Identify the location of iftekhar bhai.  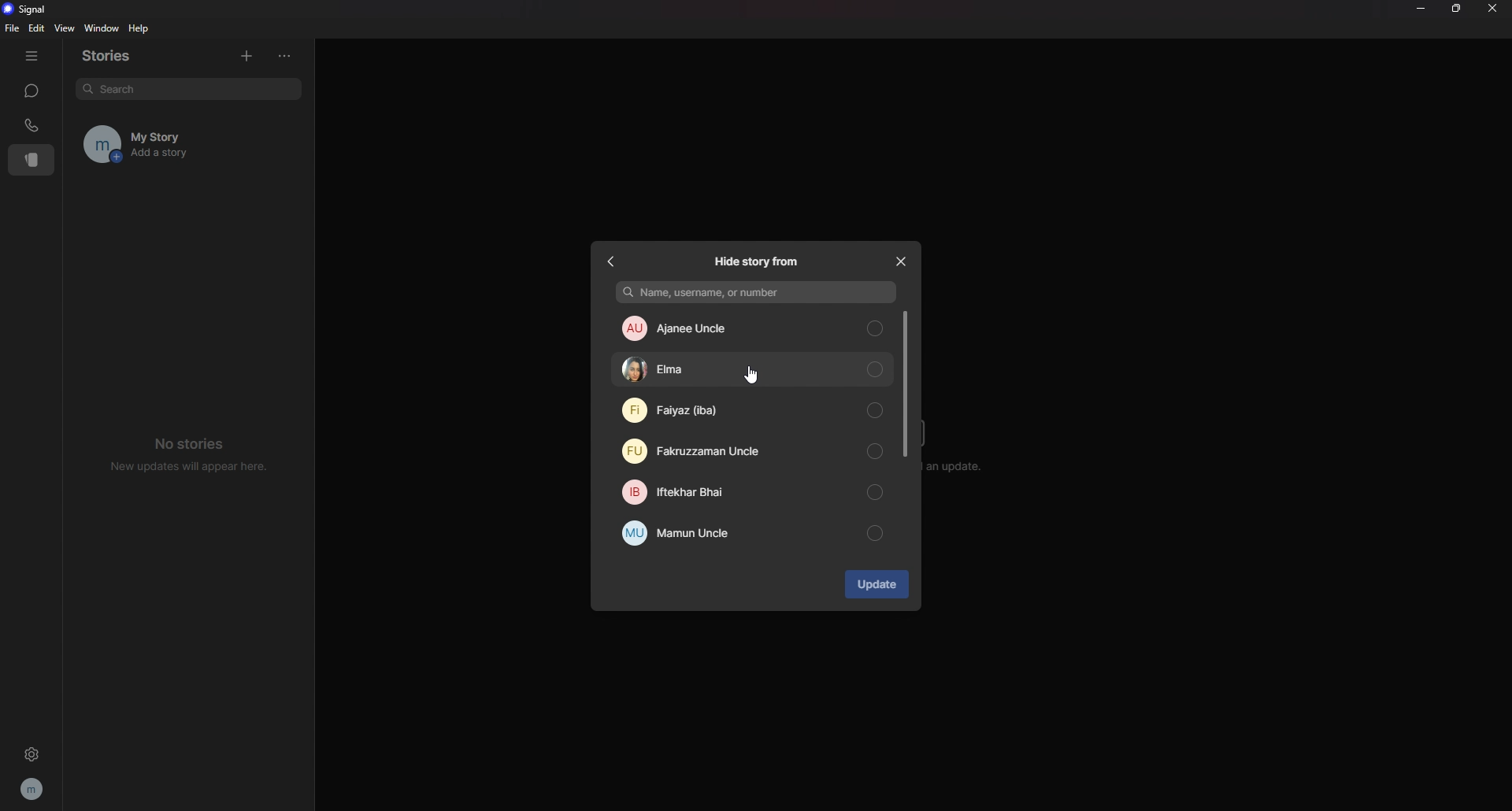
(751, 493).